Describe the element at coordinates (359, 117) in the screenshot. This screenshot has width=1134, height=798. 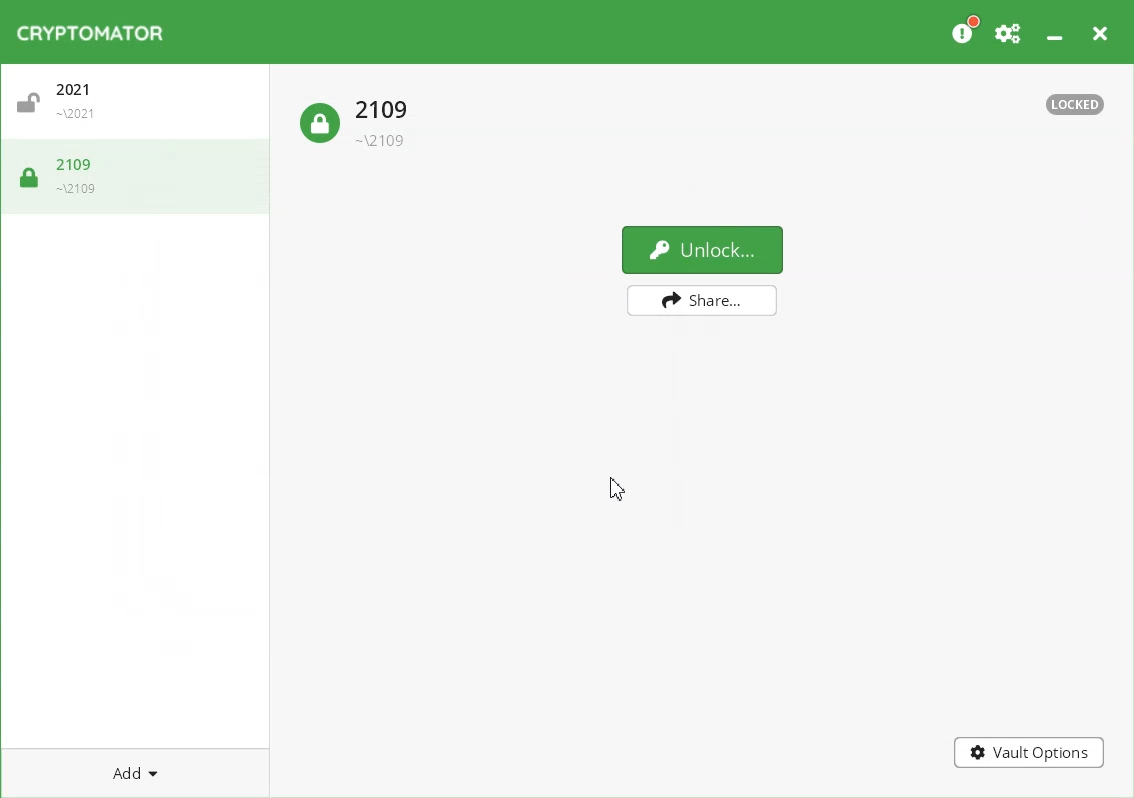
I see `Lock Vault` at that location.